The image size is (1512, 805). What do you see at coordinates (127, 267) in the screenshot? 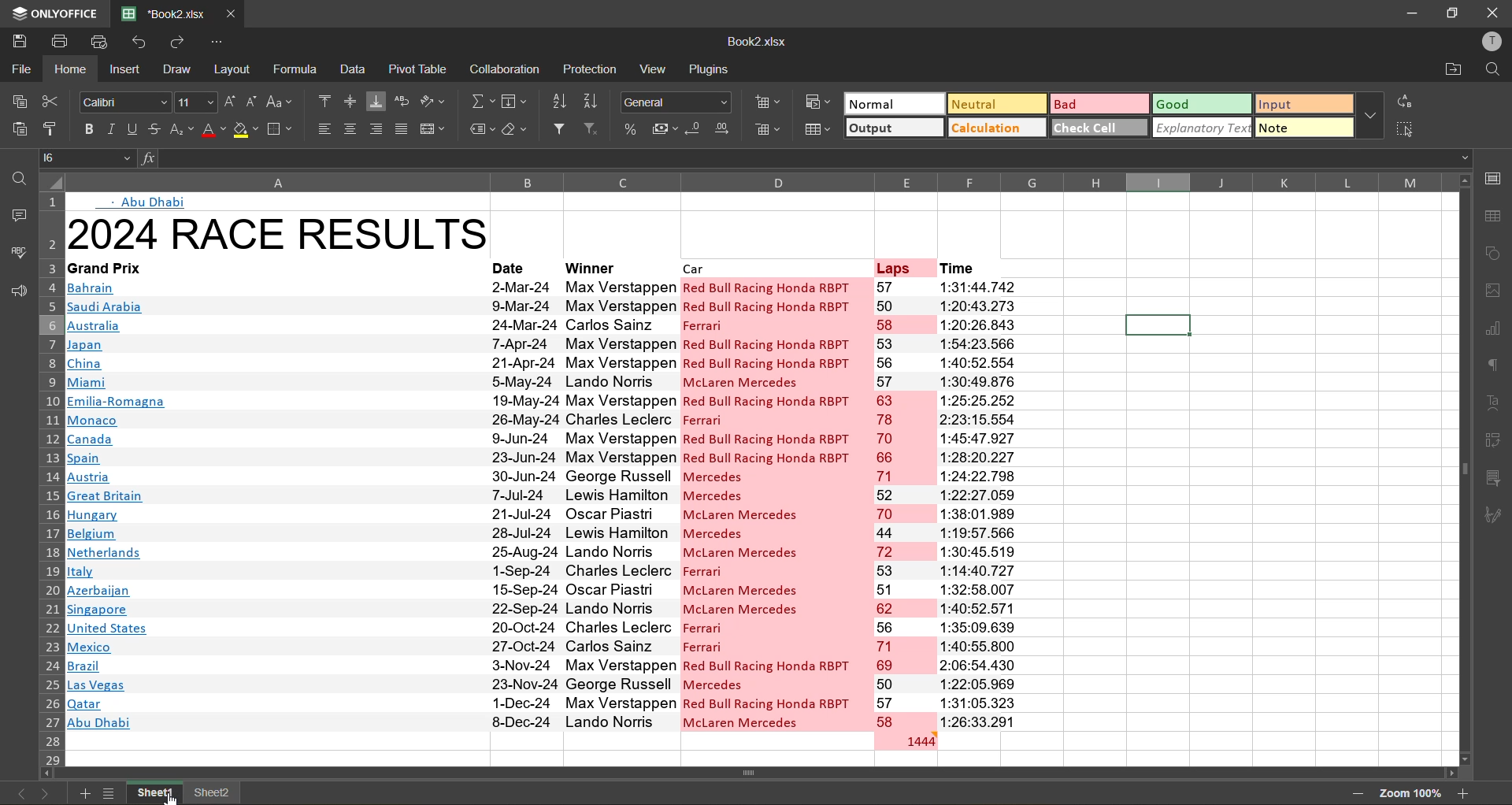
I see `grand prix` at bounding box center [127, 267].